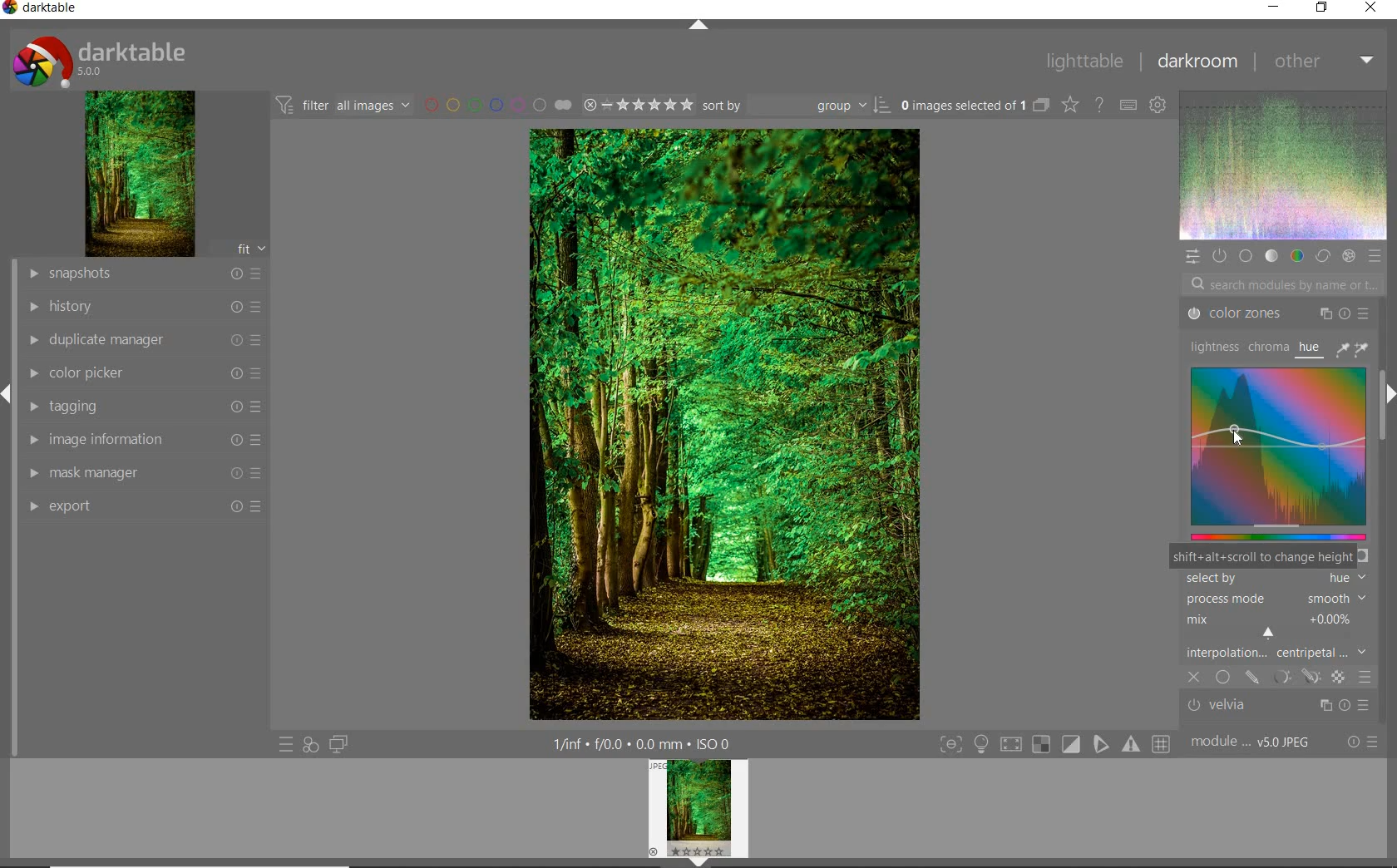  I want to click on color zones, so click(1276, 313).